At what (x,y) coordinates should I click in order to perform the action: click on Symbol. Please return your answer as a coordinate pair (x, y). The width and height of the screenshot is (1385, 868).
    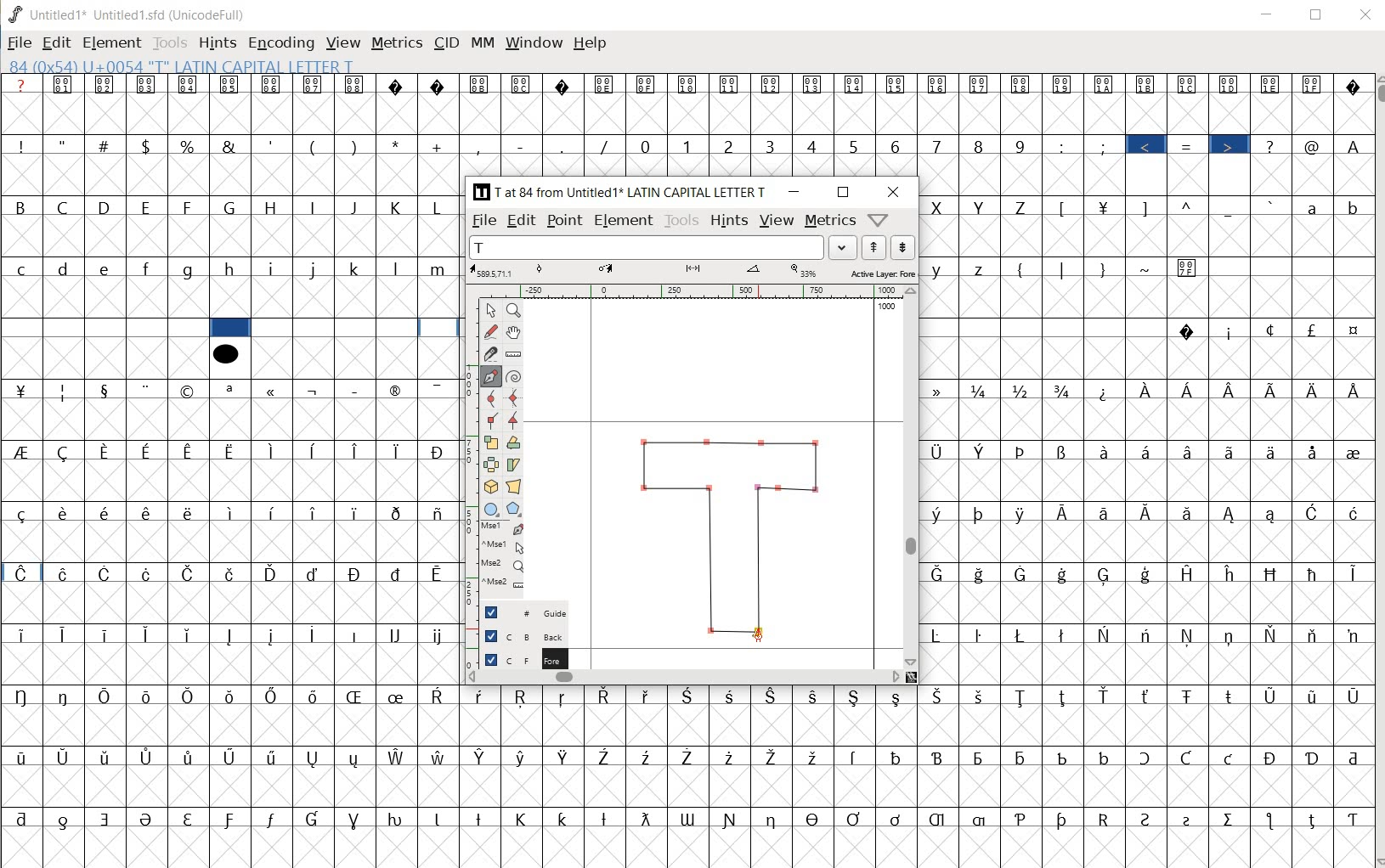
    Looking at the image, I should click on (357, 451).